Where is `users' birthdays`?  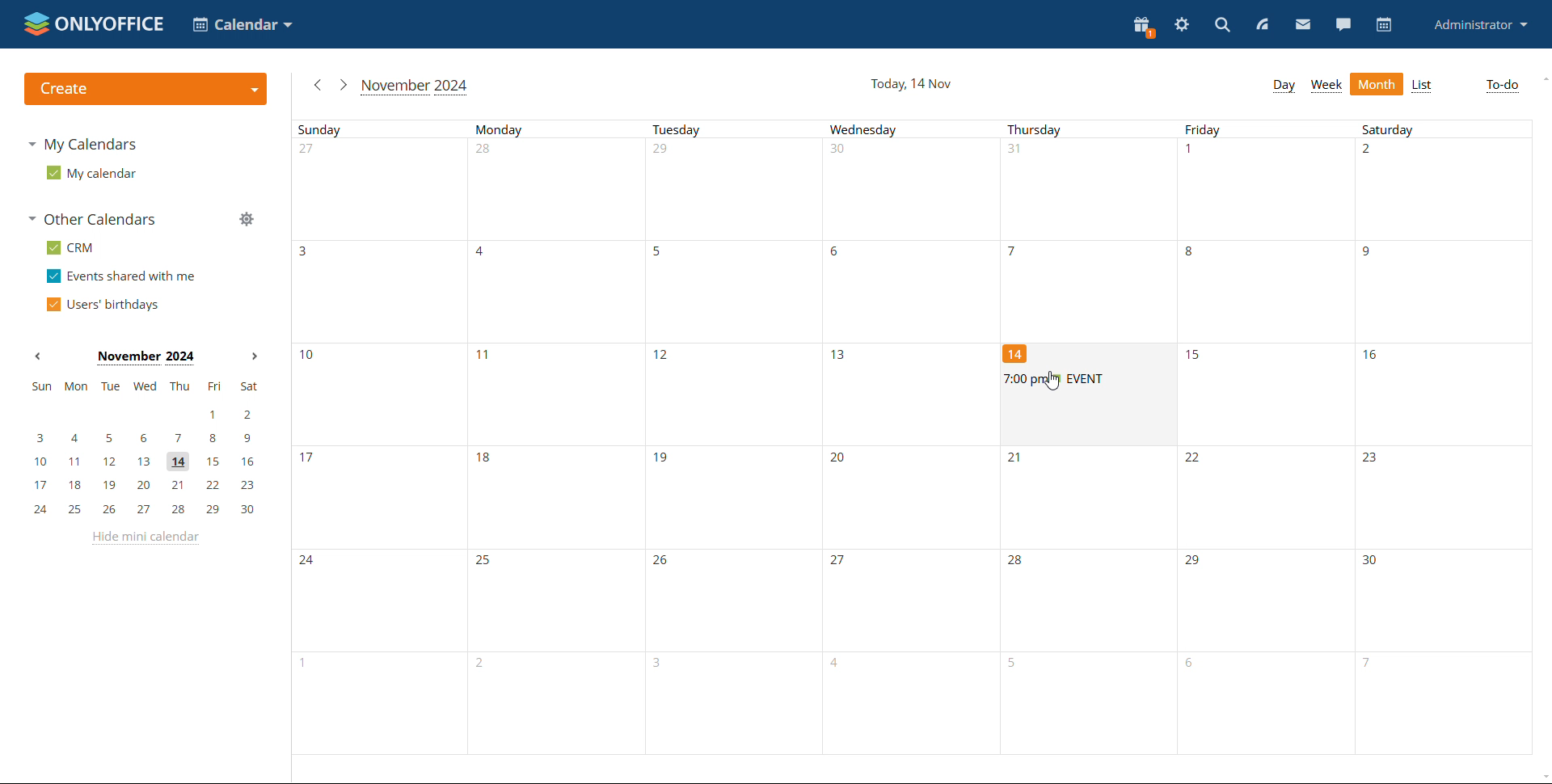
users' birthdays is located at coordinates (101, 306).